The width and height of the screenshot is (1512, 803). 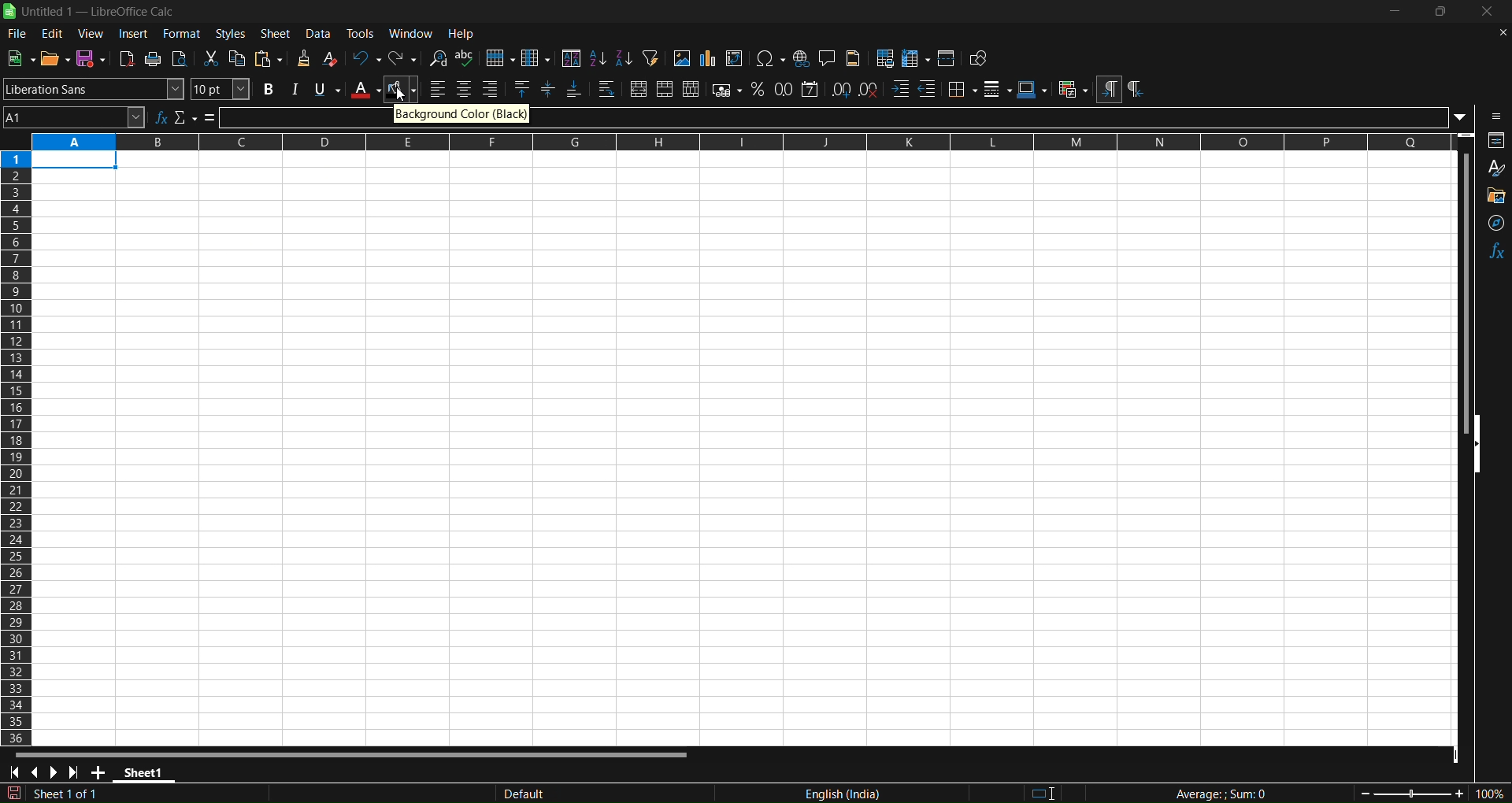 What do you see at coordinates (574, 88) in the screenshot?
I see `align bottom` at bounding box center [574, 88].